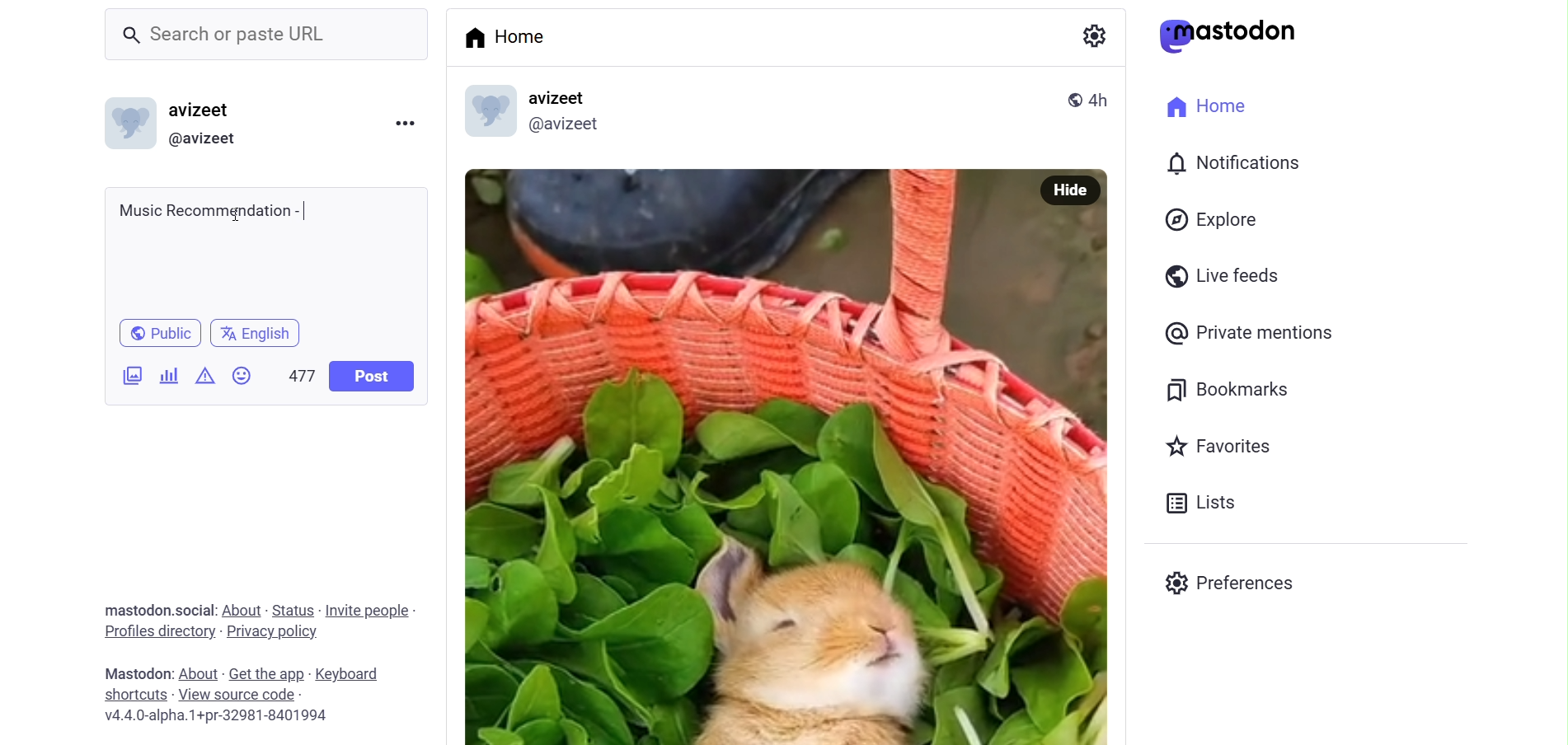  I want to click on get the app, so click(268, 672).